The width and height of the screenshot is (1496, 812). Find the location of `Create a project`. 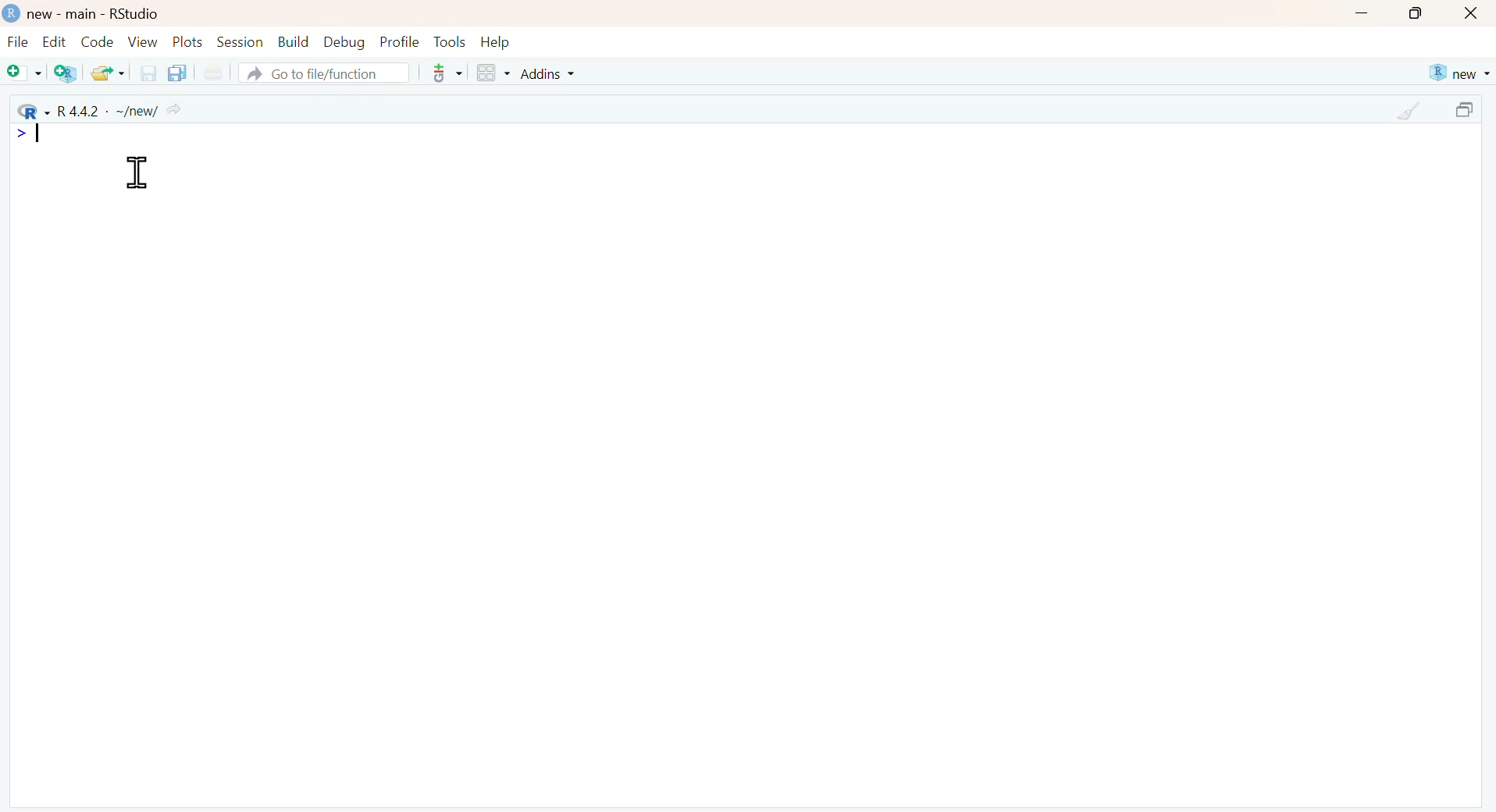

Create a project is located at coordinates (67, 73).